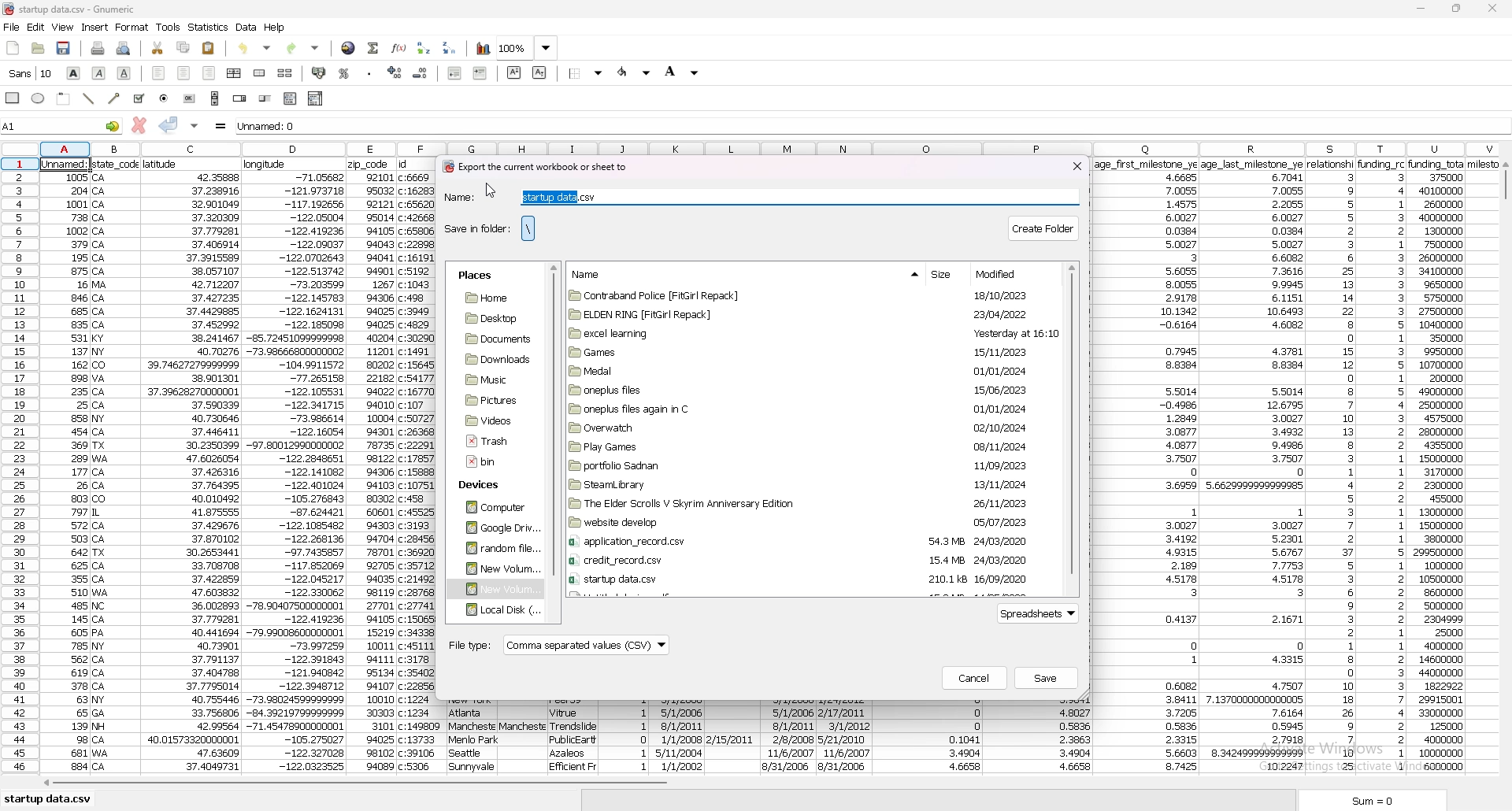  I want to click on folder, so click(806, 484).